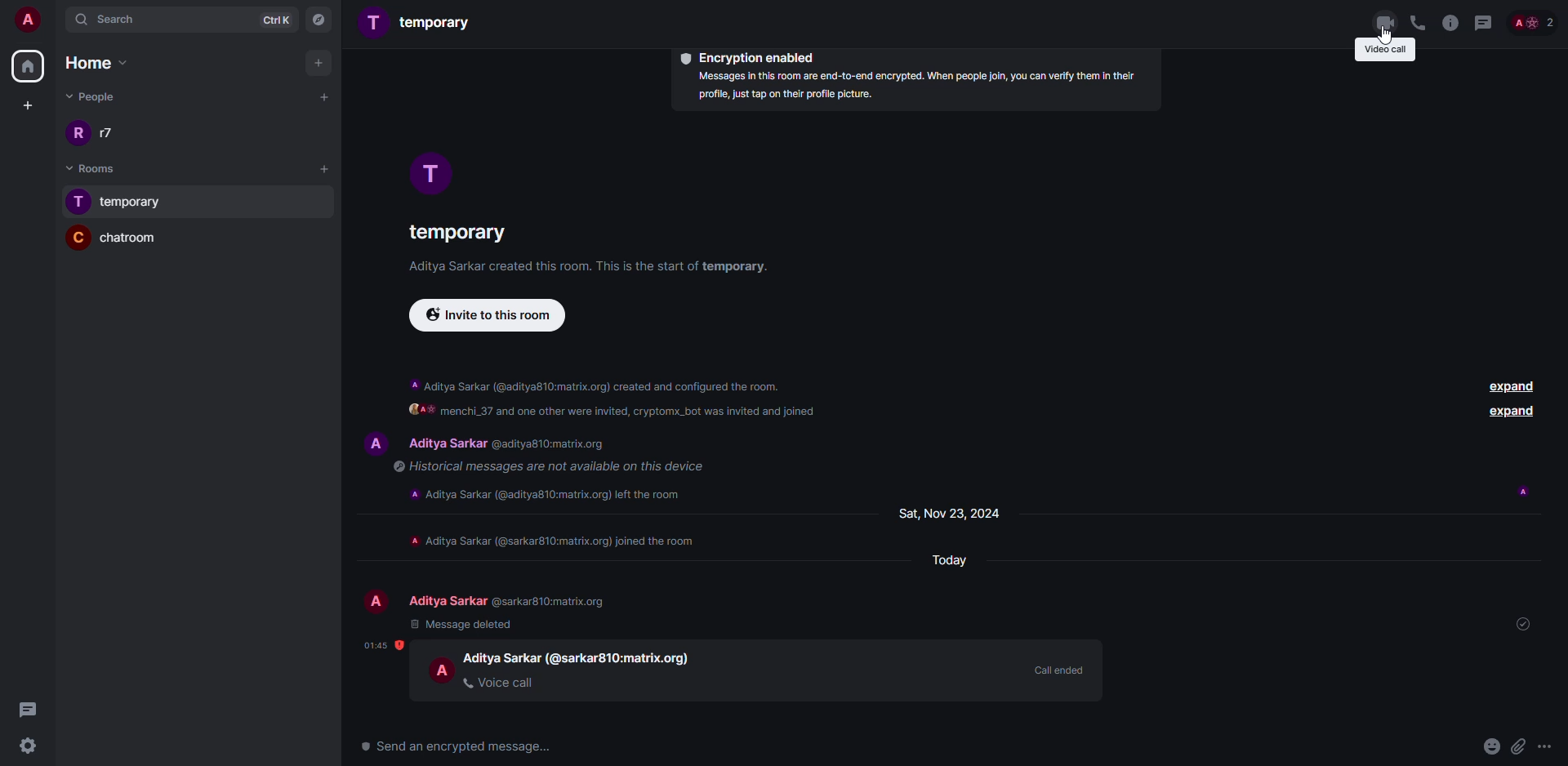 The image size is (1568, 766). I want to click on voice call, so click(504, 683).